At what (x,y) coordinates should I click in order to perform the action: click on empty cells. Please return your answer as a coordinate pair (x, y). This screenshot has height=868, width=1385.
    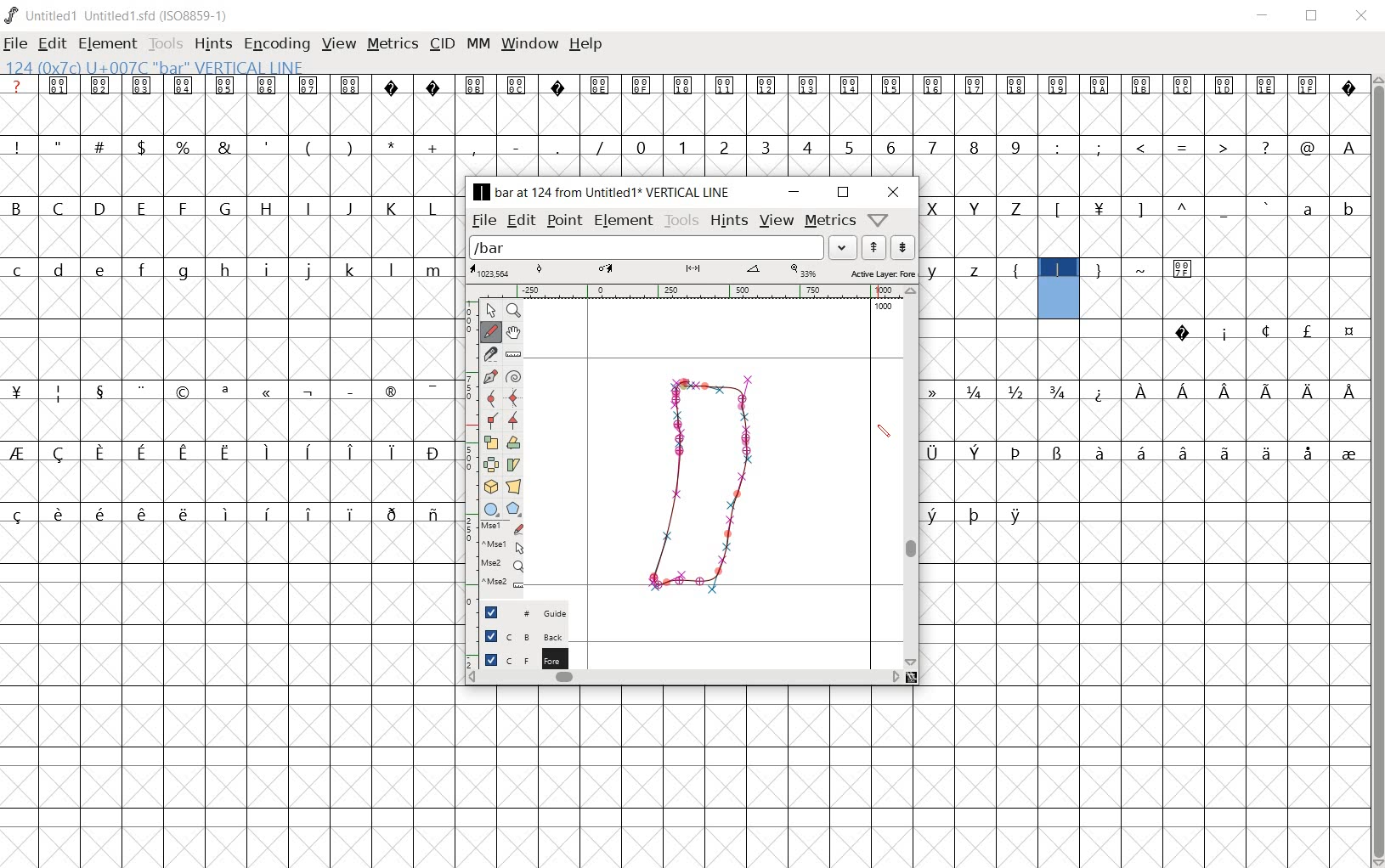
    Looking at the image, I should click on (229, 177).